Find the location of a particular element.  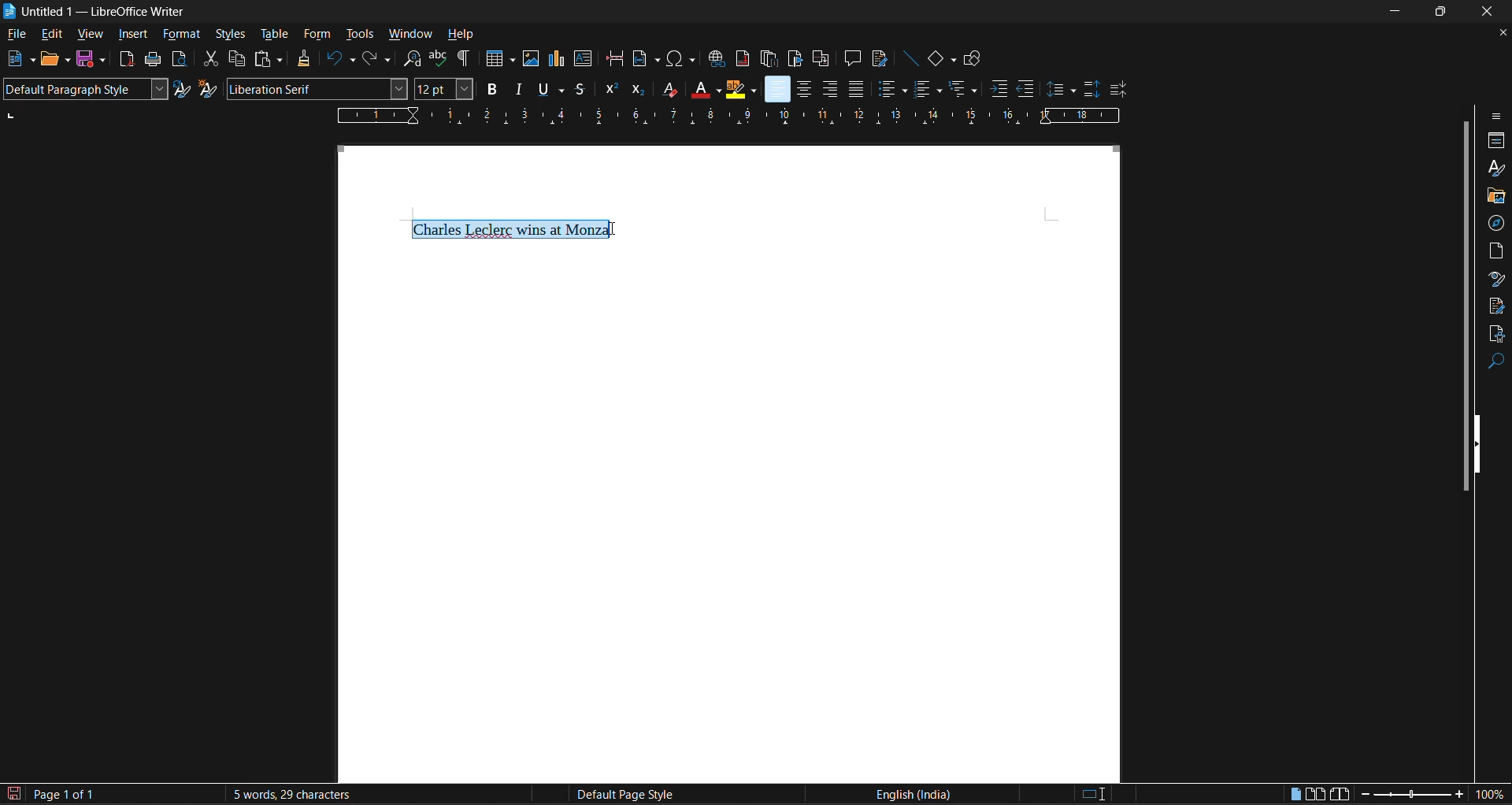

export directly as PDF is located at coordinates (126, 58).